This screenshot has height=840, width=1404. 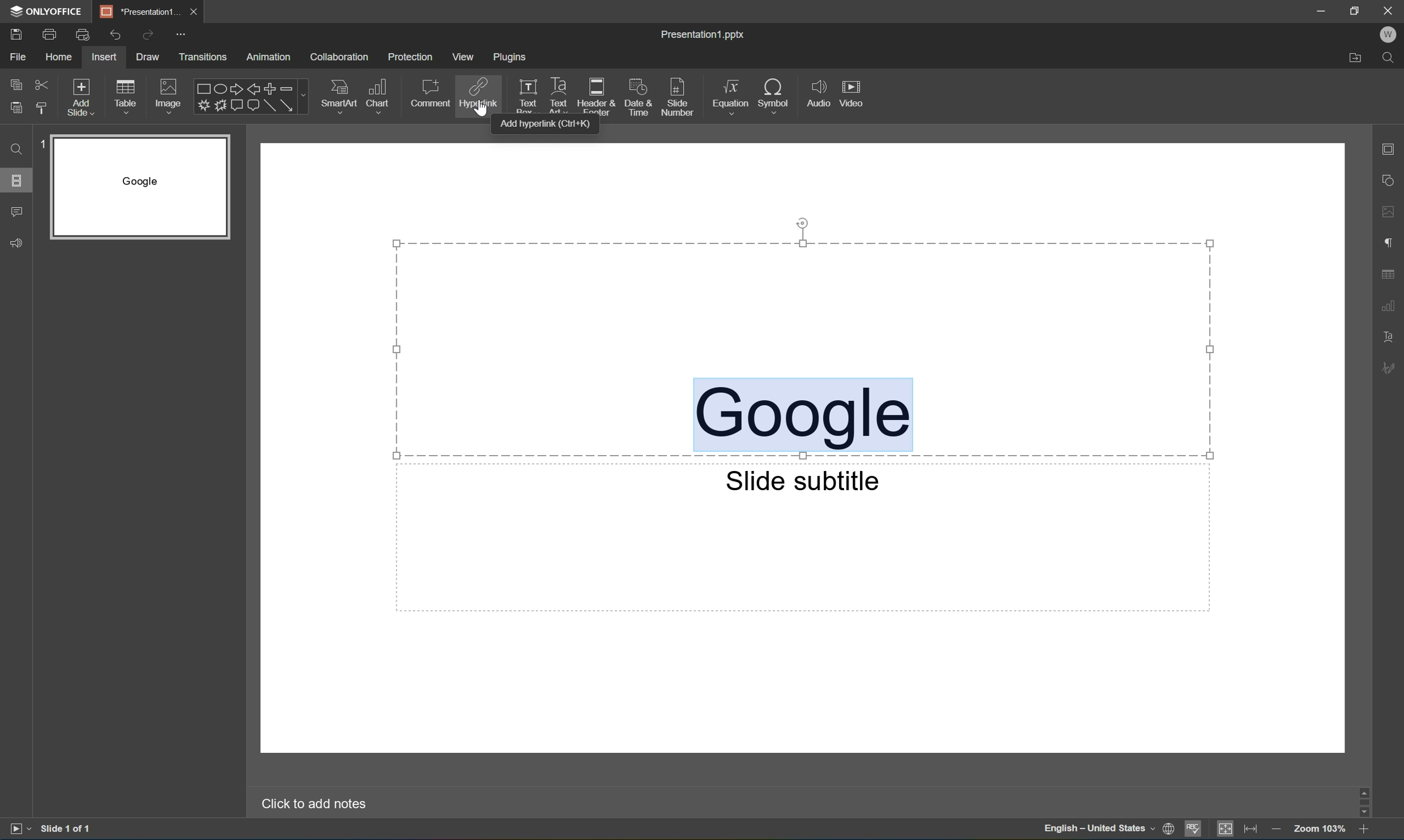 I want to click on View, so click(x=463, y=57).